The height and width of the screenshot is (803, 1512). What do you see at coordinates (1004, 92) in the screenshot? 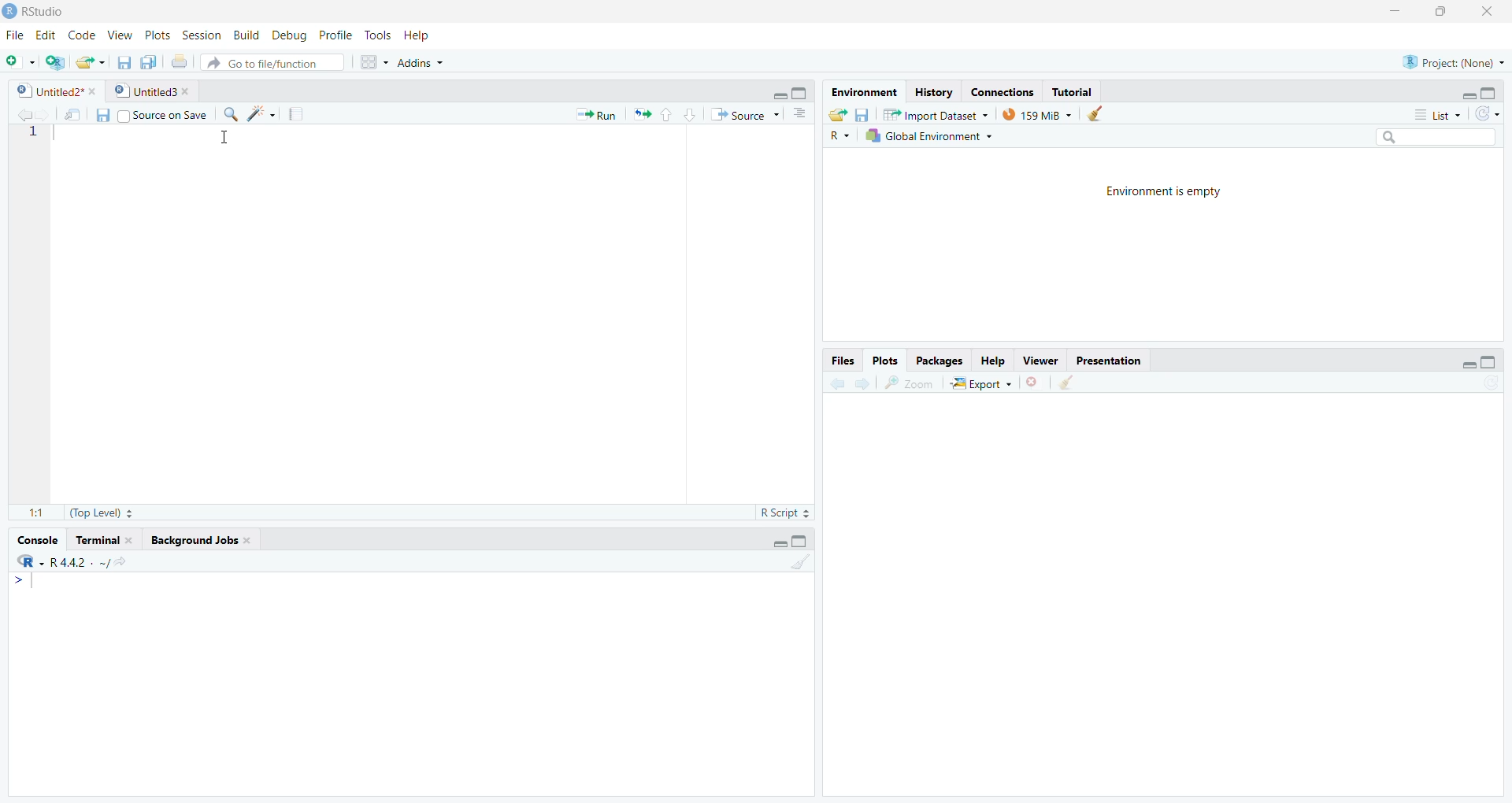
I see `Connections` at bounding box center [1004, 92].